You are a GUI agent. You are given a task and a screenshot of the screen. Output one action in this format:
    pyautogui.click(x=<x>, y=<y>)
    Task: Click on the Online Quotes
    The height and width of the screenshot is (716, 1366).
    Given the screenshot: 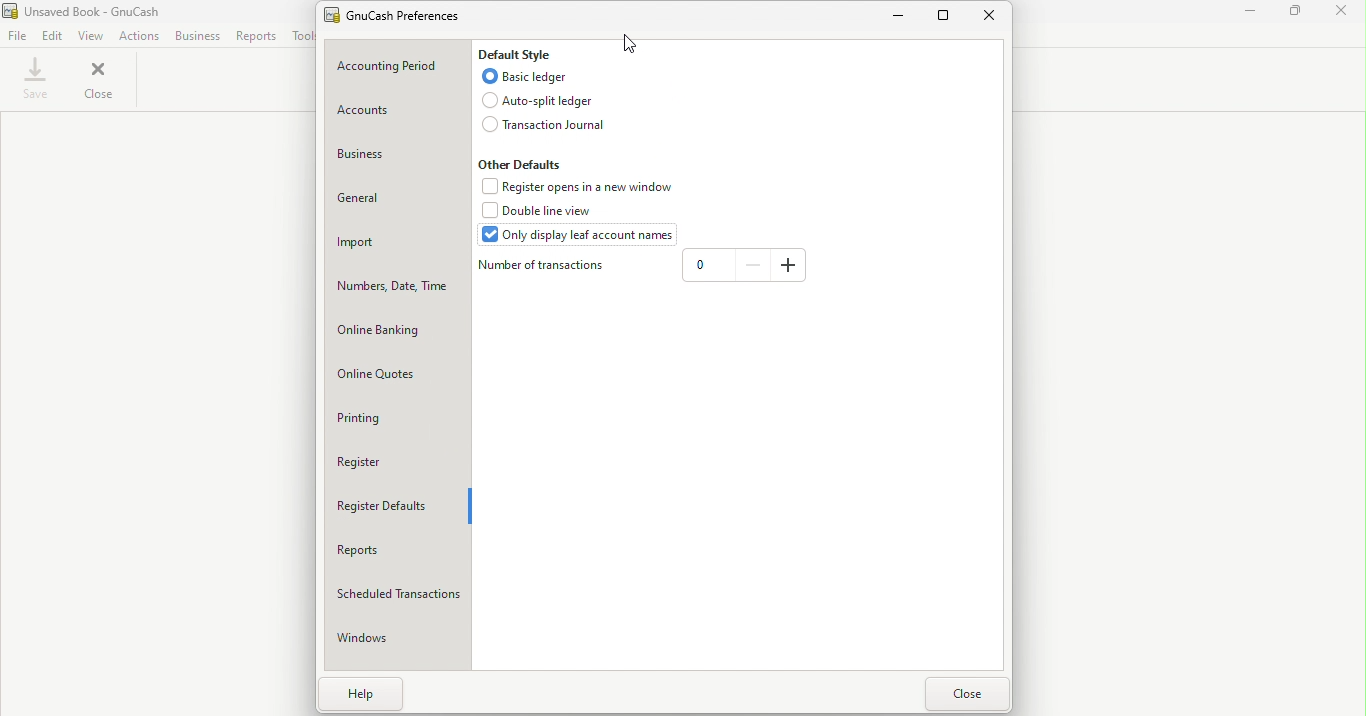 What is the action you would take?
    pyautogui.click(x=393, y=376)
    